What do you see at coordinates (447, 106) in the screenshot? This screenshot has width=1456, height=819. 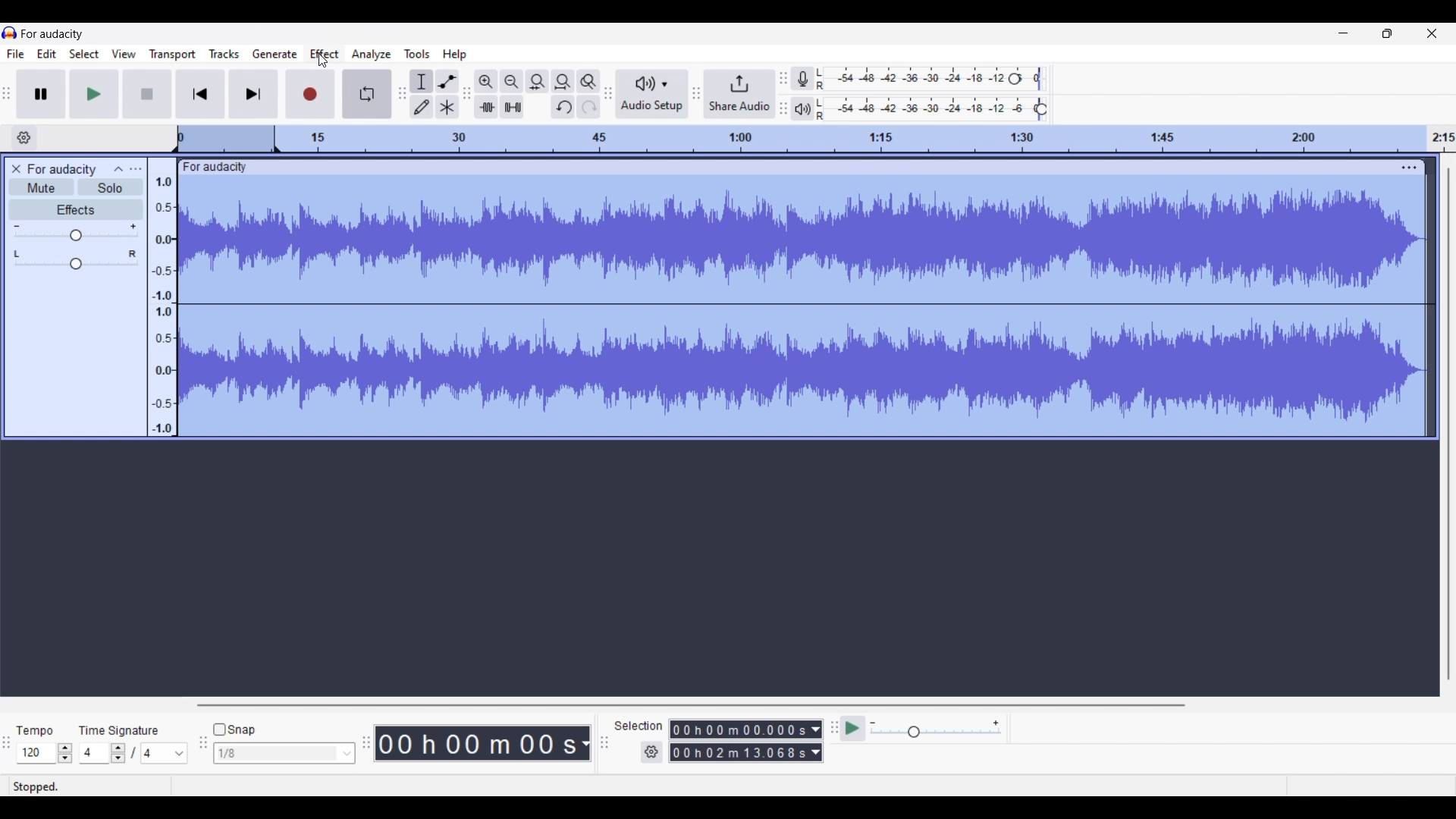 I see `Multi-tool` at bounding box center [447, 106].